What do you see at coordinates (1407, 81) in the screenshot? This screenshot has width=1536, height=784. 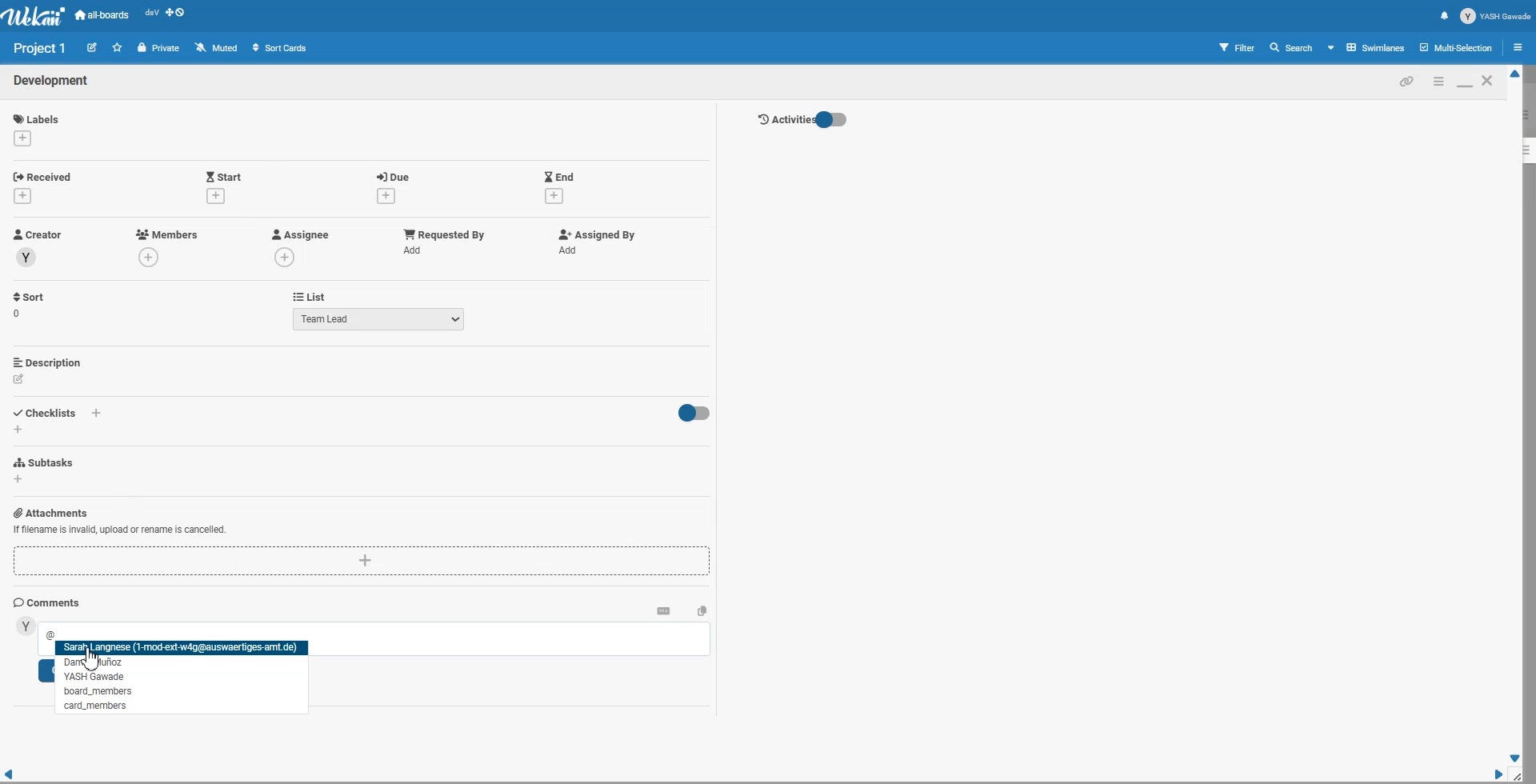 I see `Copy card link` at bounding box center [1407, 81].